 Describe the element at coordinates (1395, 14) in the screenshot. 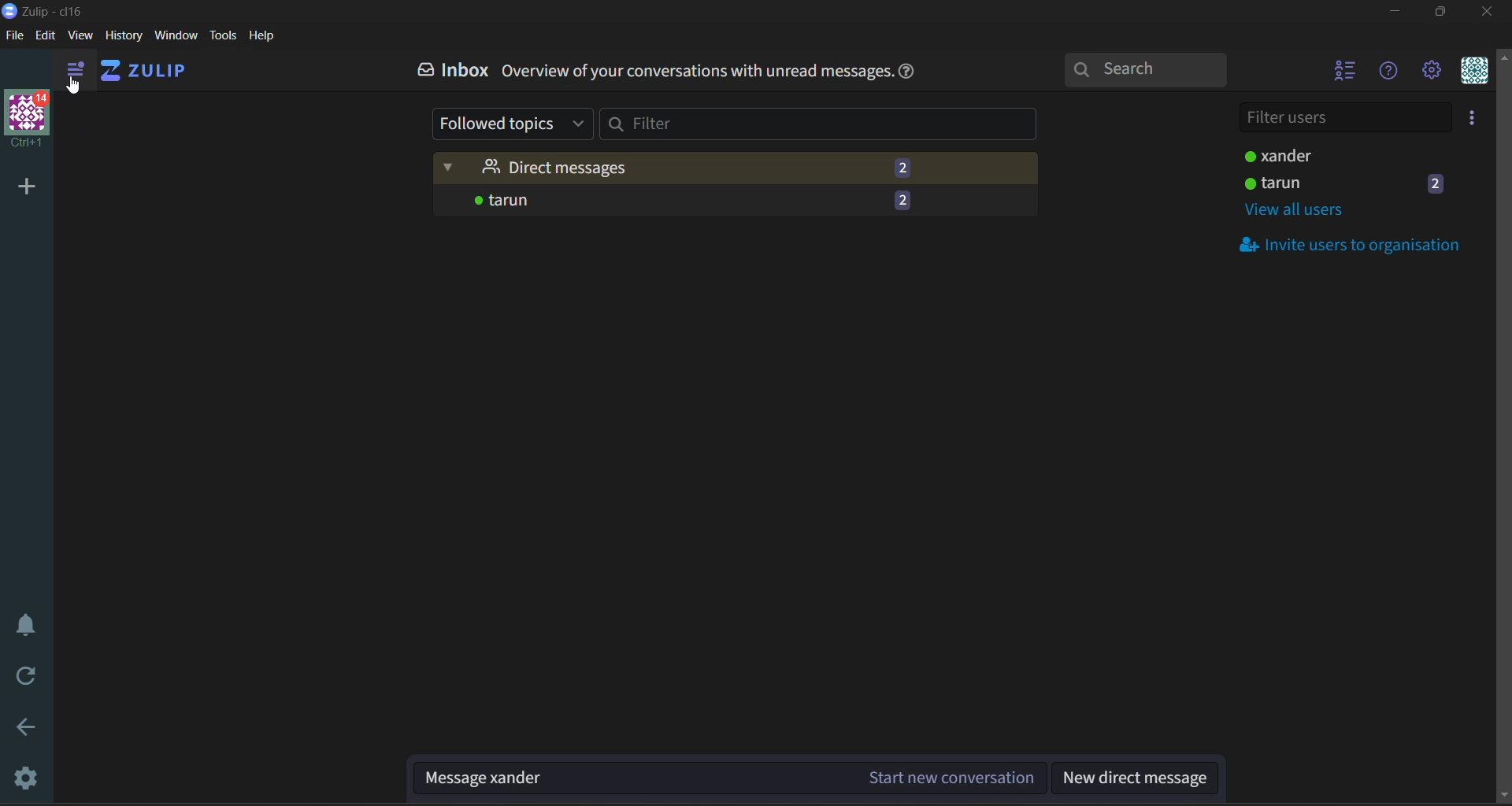

I see `minimize` at that location.